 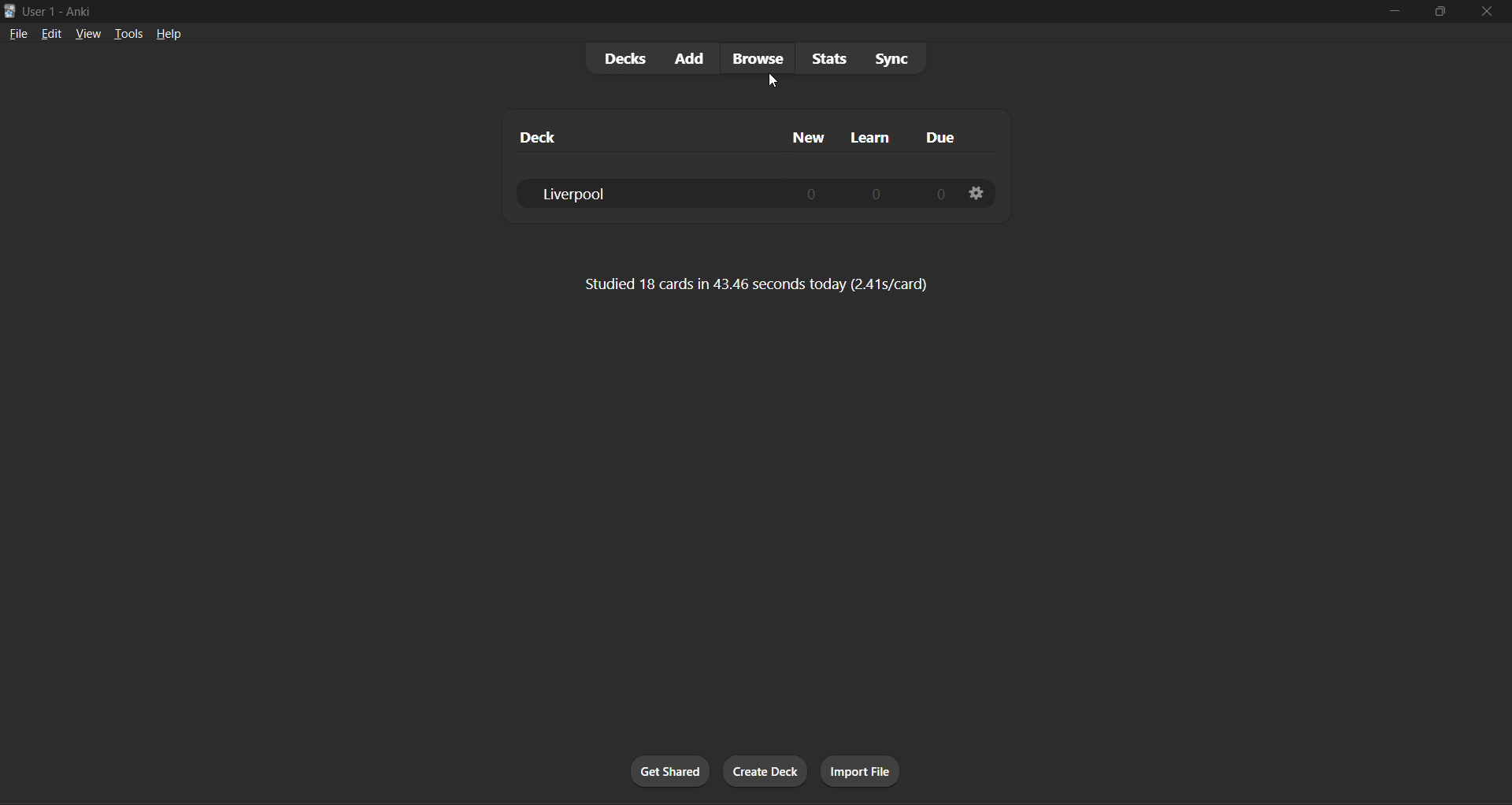 I want to click on deck column, so click(x=633, y=135).